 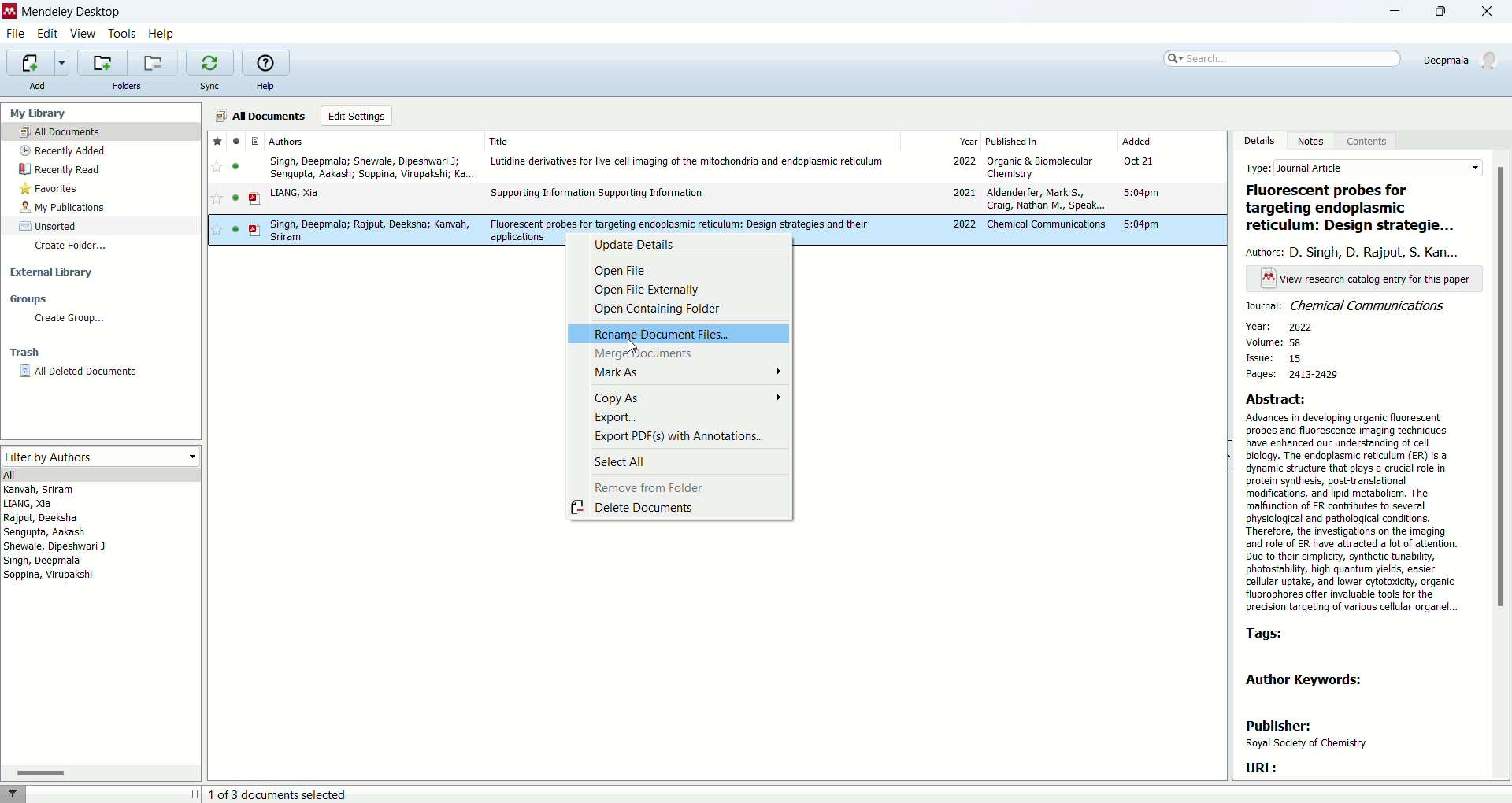 What do you see at coordinates (681, 334) in the screenshot?
I see `rename document files` at bounding box center [681, 334].